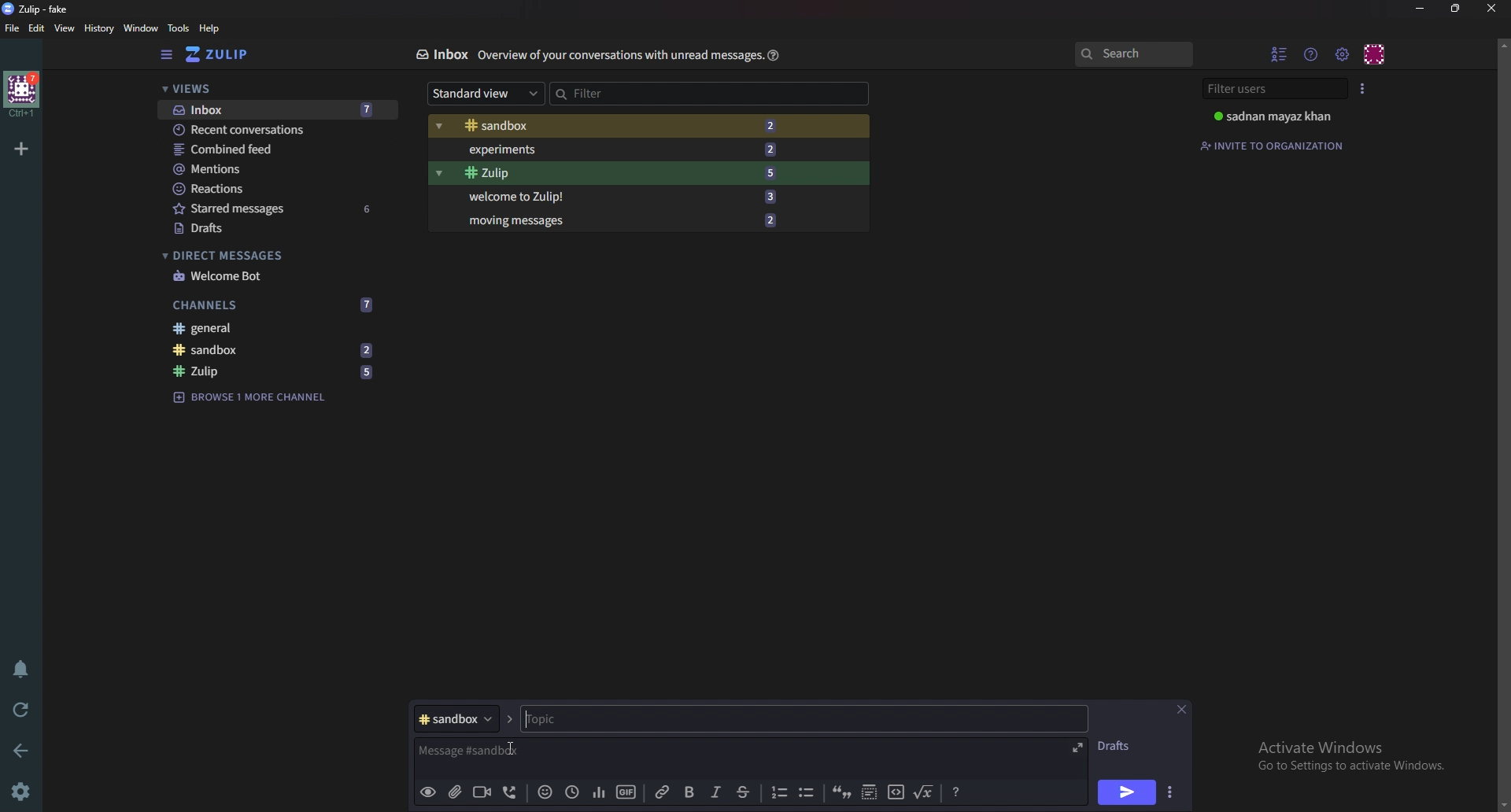  I want to click on Bullet list, so click(807, 792).